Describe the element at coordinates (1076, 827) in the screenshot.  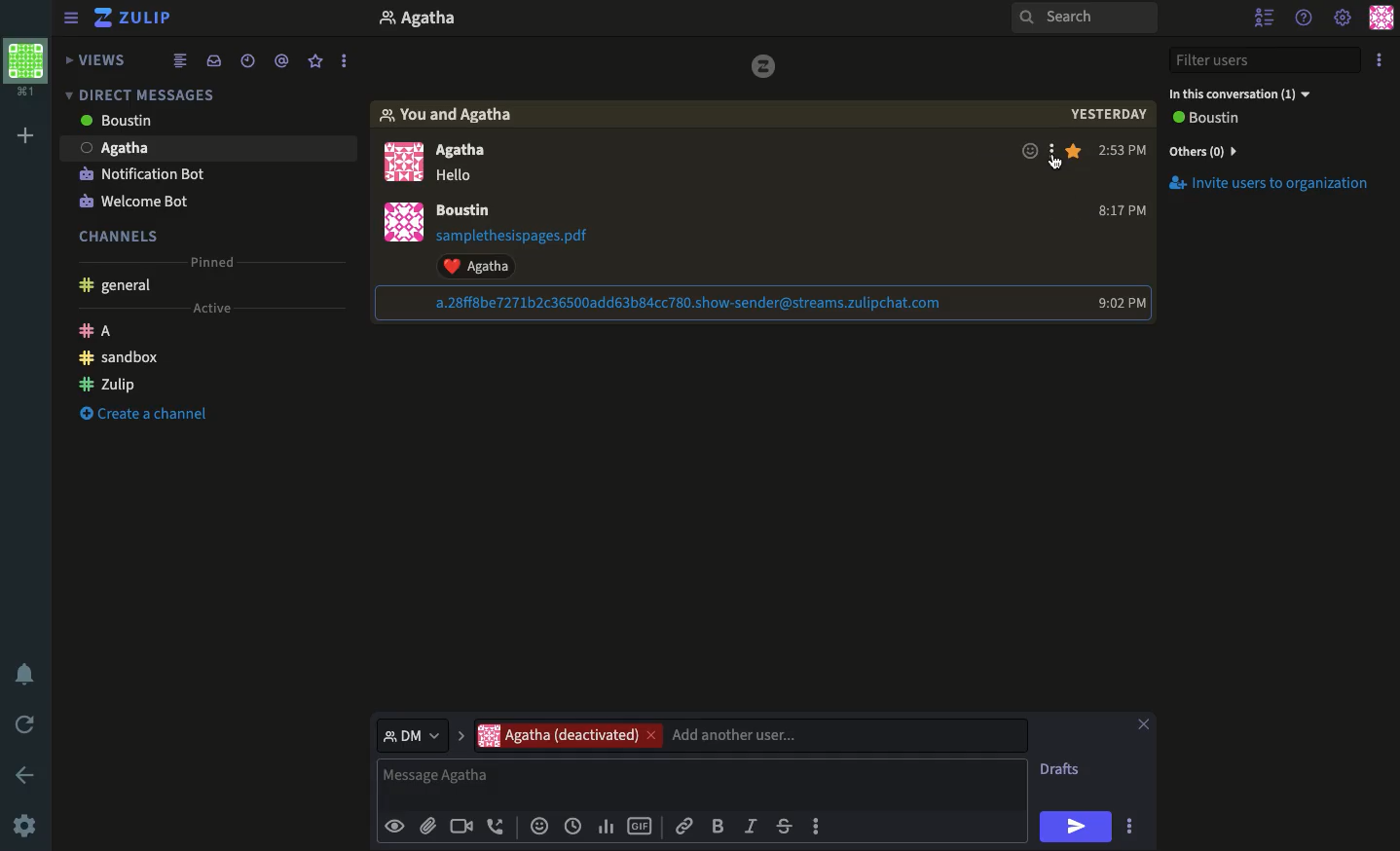
I see `Send` at that location.